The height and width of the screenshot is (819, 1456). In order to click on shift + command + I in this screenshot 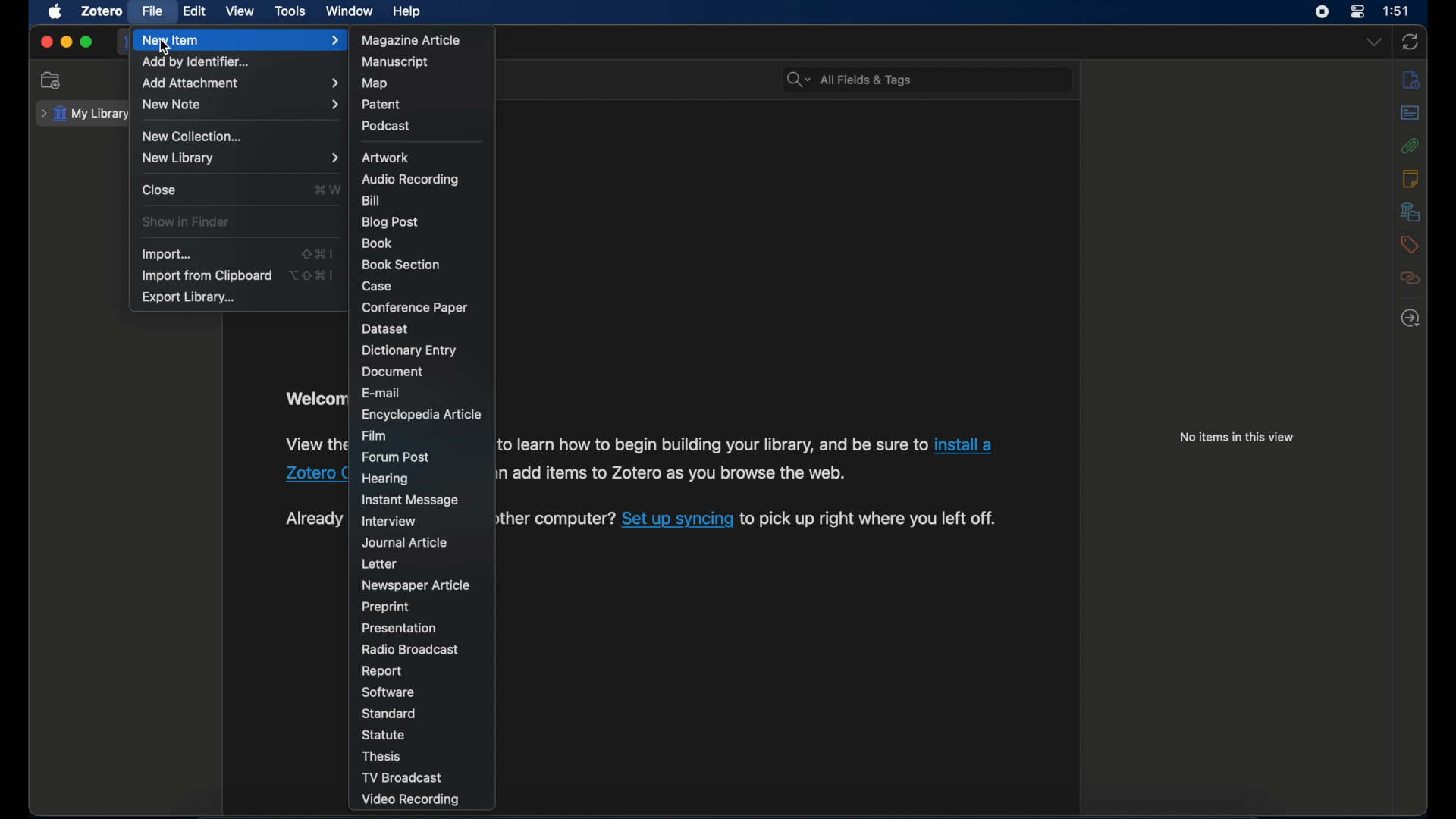, I will do `click(317, 253)`.